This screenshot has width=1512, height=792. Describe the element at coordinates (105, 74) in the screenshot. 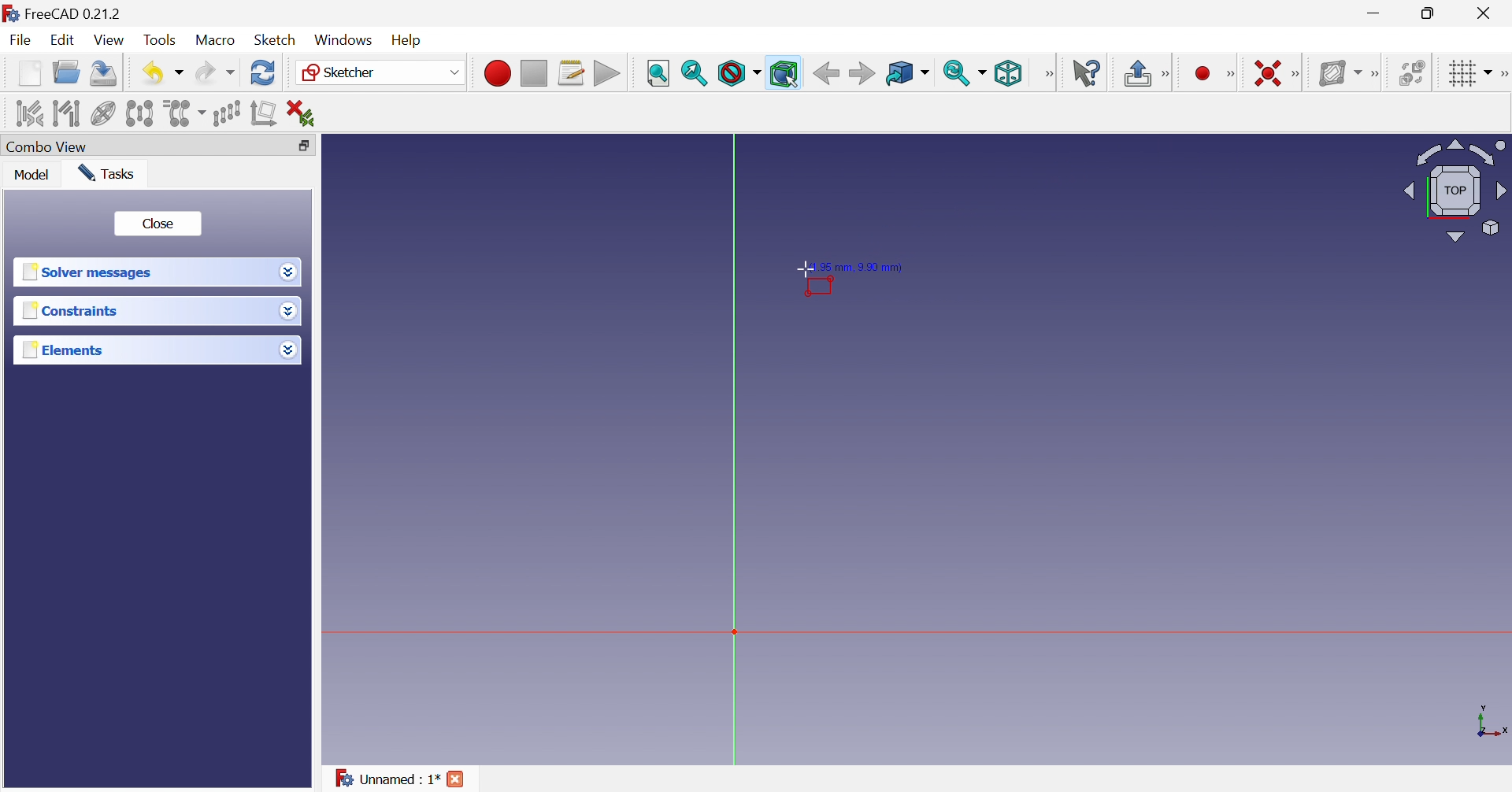

I see `Save` at that location.